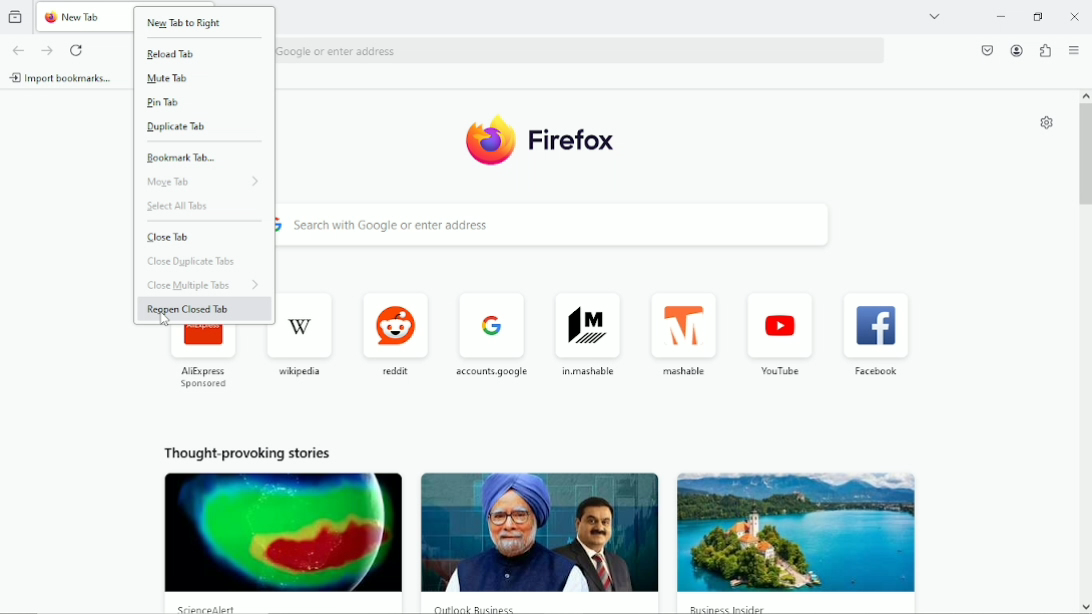  I want to click on wikipedia, so click(306, 331).